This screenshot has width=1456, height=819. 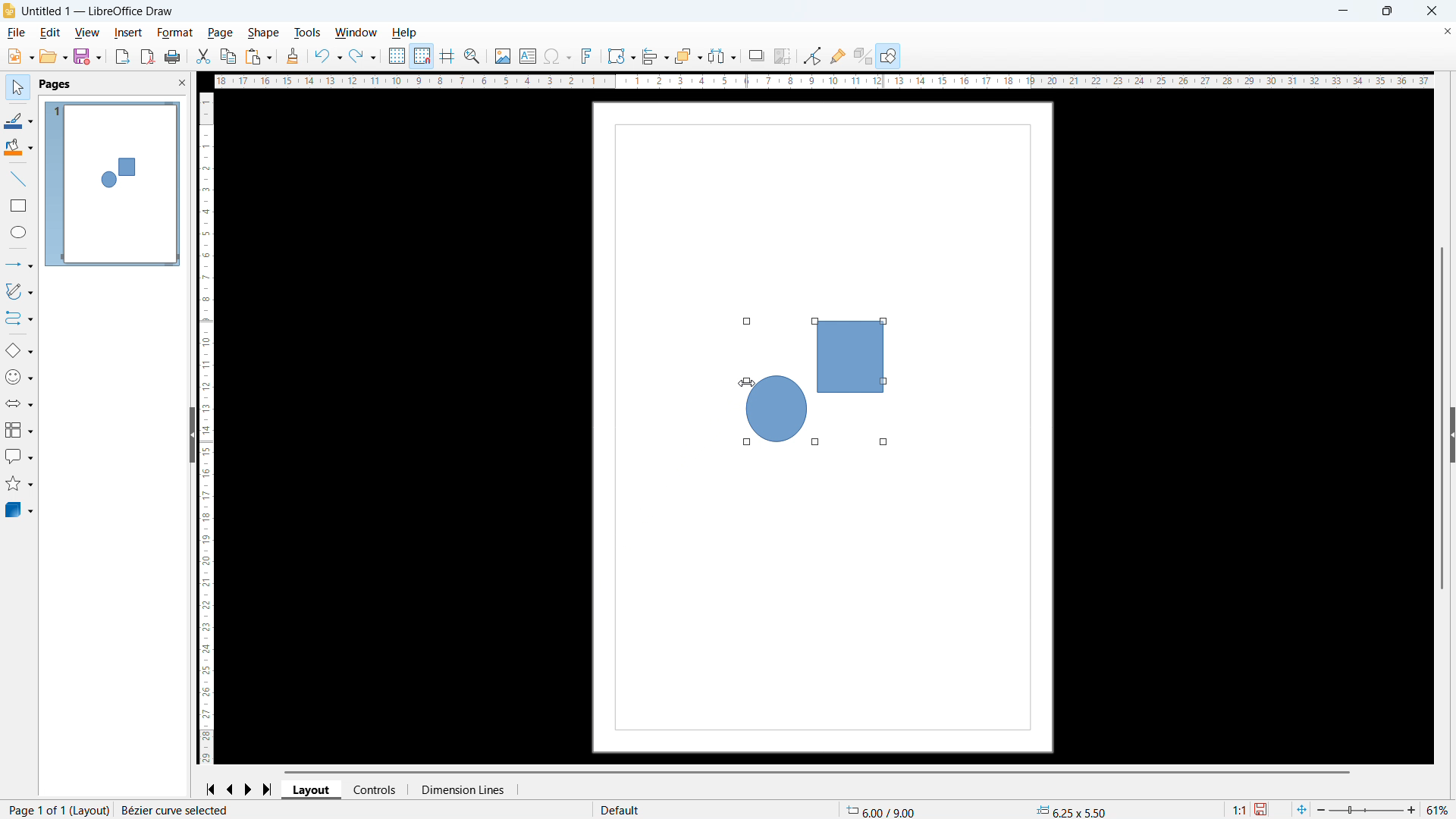 I want to click on Lines and arrows , so click(x=22, y=265).